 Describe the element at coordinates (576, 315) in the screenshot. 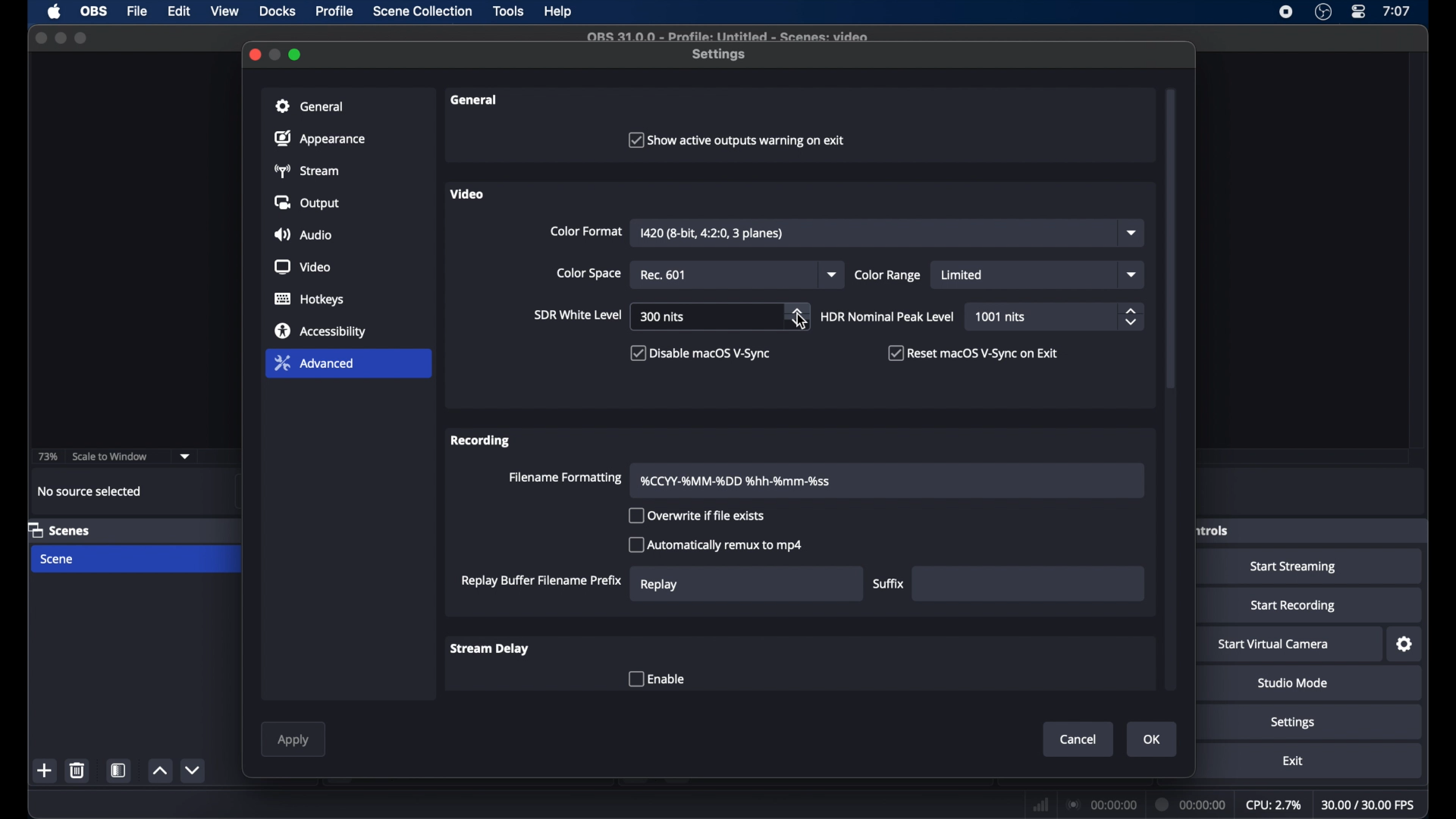

I see `sir white level ` at that location.